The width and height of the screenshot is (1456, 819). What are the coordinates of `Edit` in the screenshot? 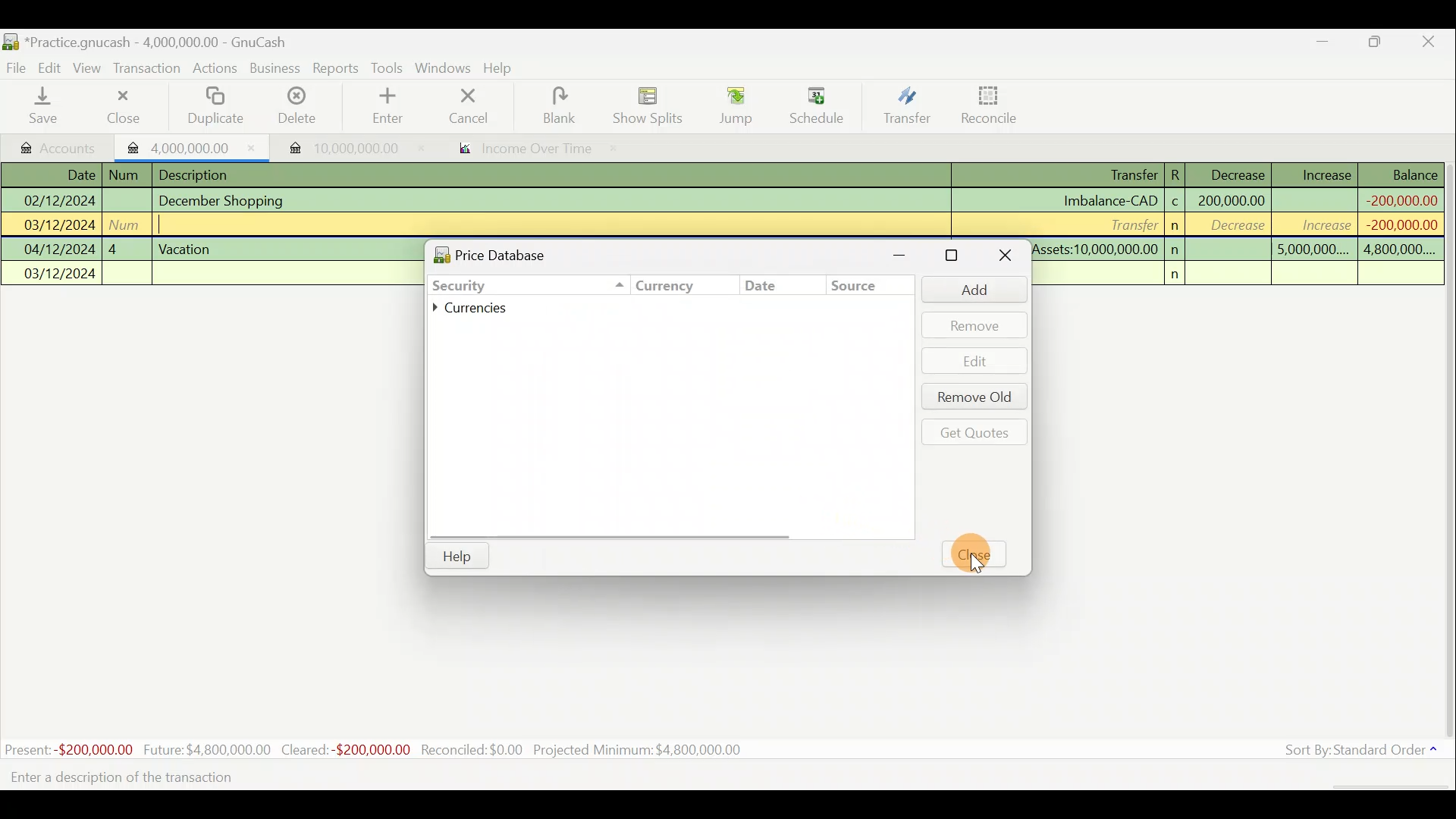 It's located at (976, 361).